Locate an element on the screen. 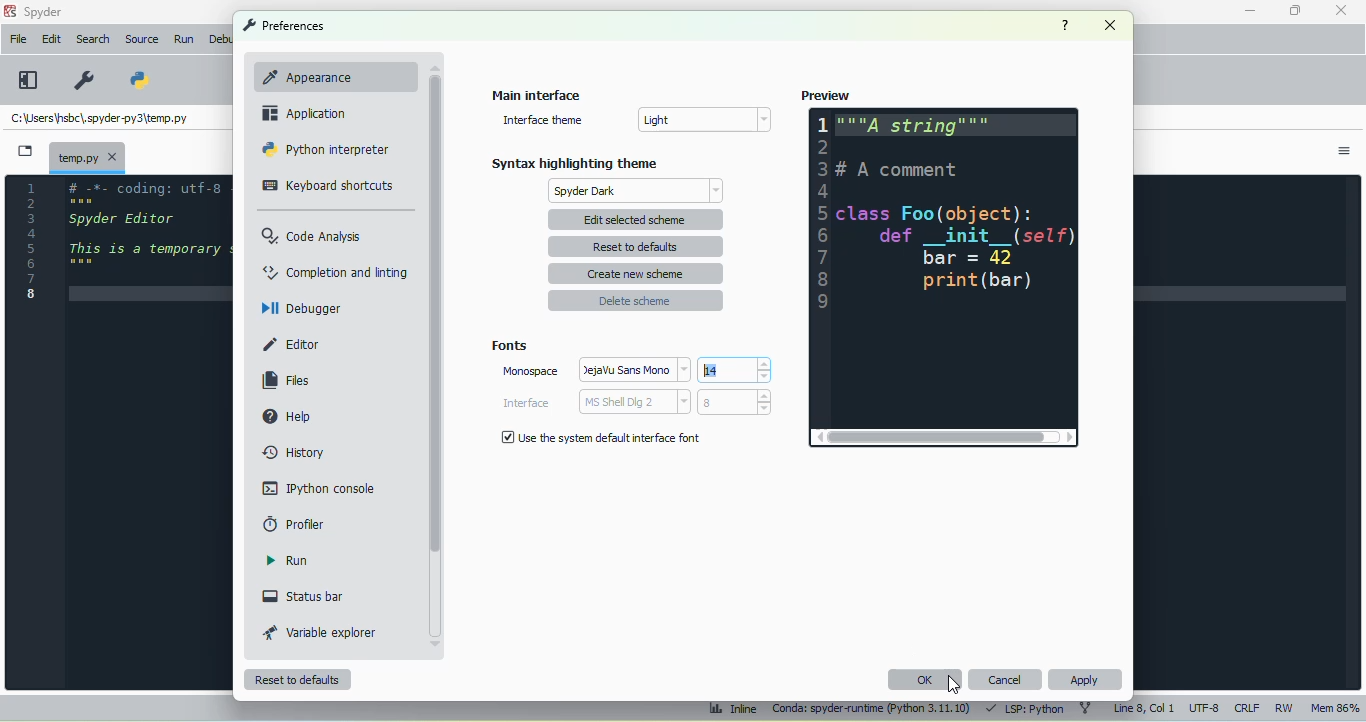 The image size is (1366, 722). search is located at coordinates (93, 39).